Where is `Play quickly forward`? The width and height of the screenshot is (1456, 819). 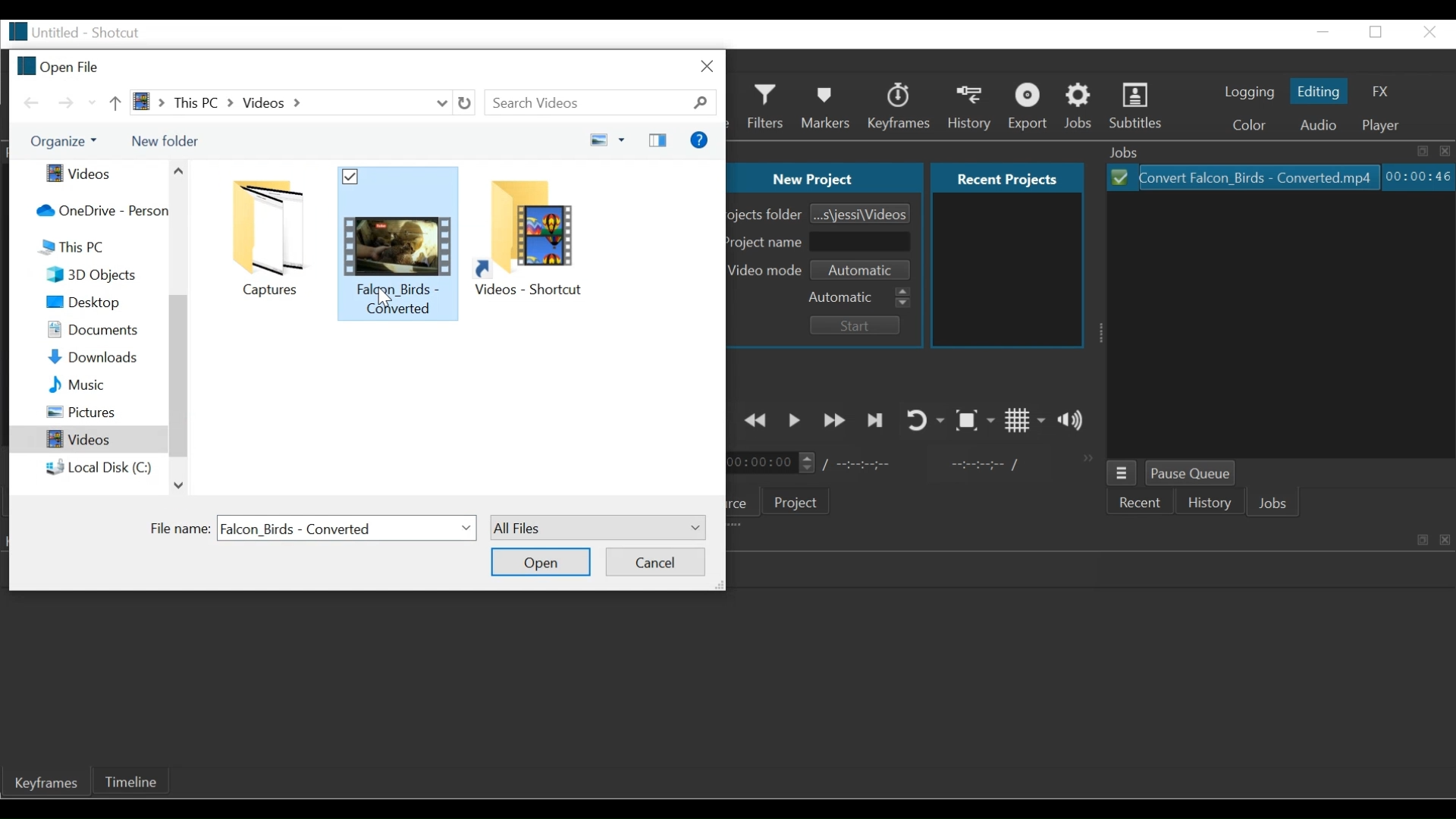
Play quickly forward is located at coordinates (834, 420).